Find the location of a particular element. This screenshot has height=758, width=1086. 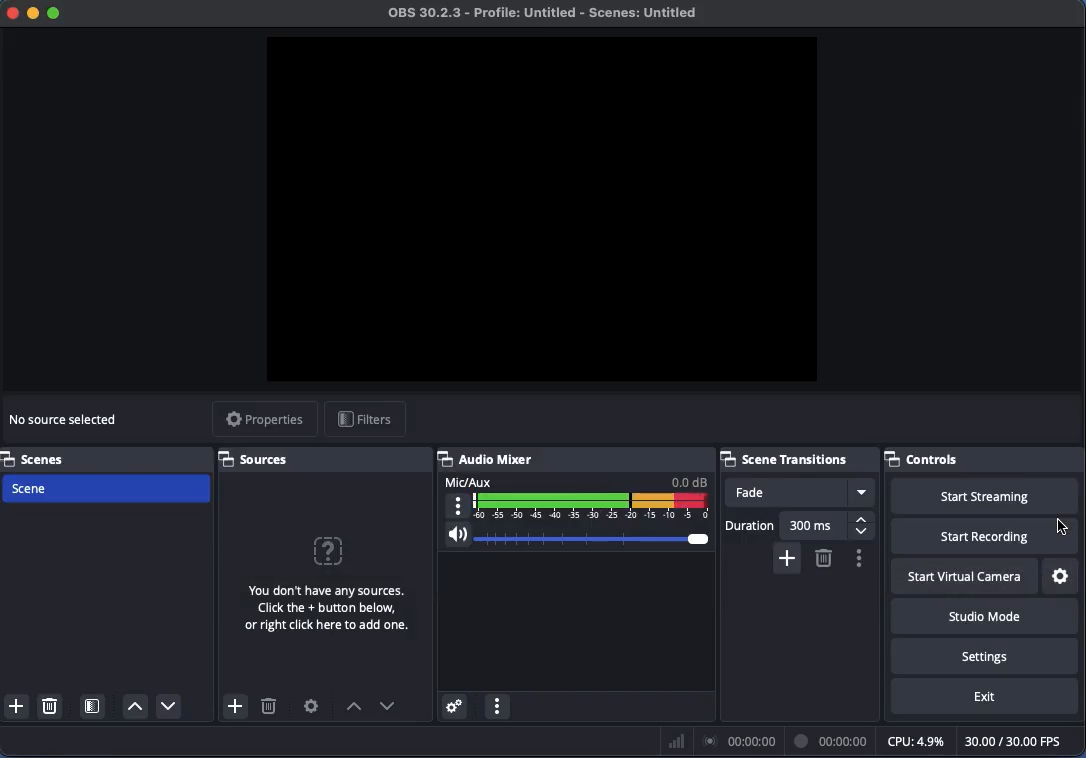

Start recording is located at coordinates (985, 537).